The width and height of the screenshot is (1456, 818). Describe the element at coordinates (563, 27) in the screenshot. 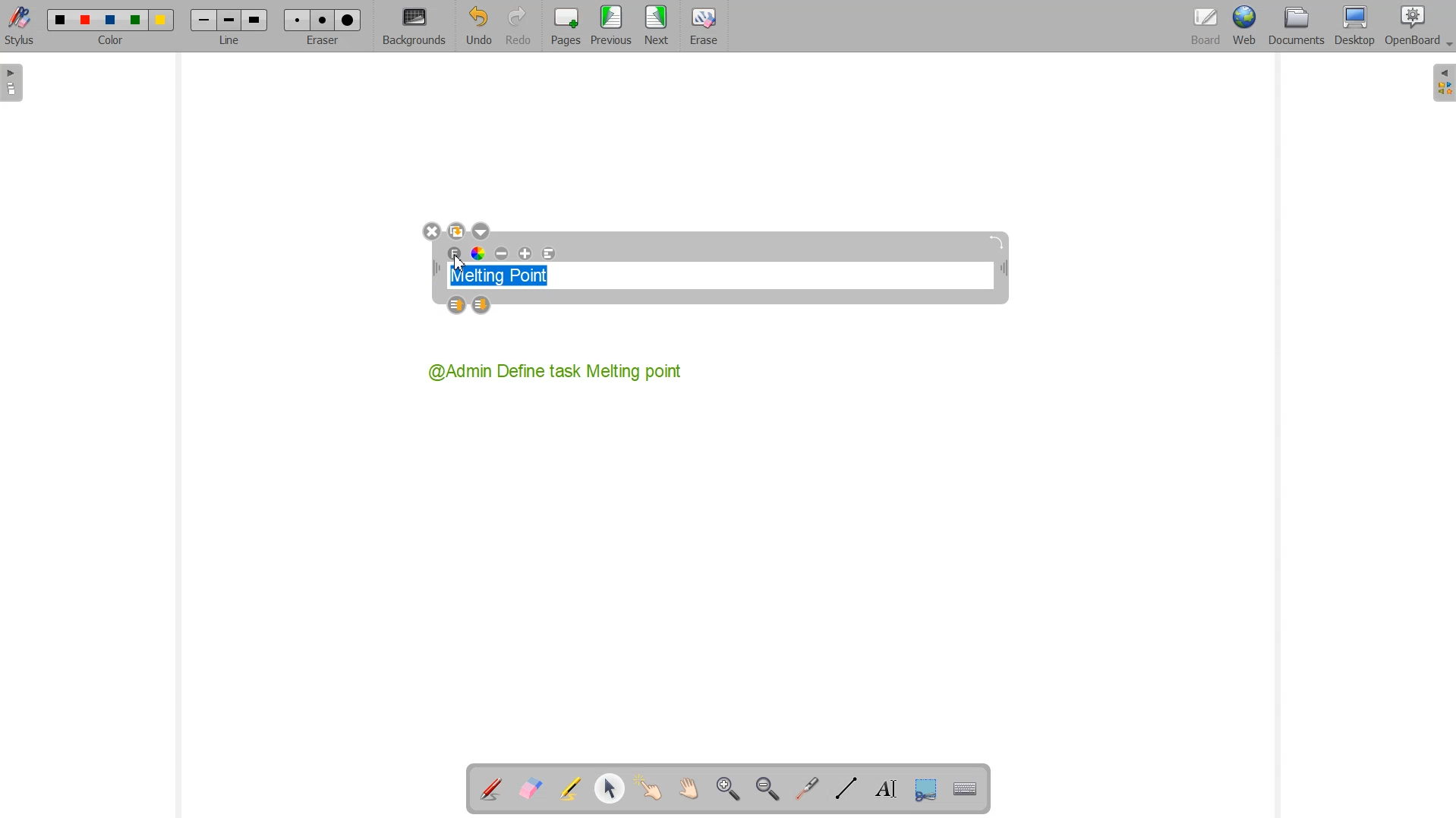

I see `Pages` at that location.